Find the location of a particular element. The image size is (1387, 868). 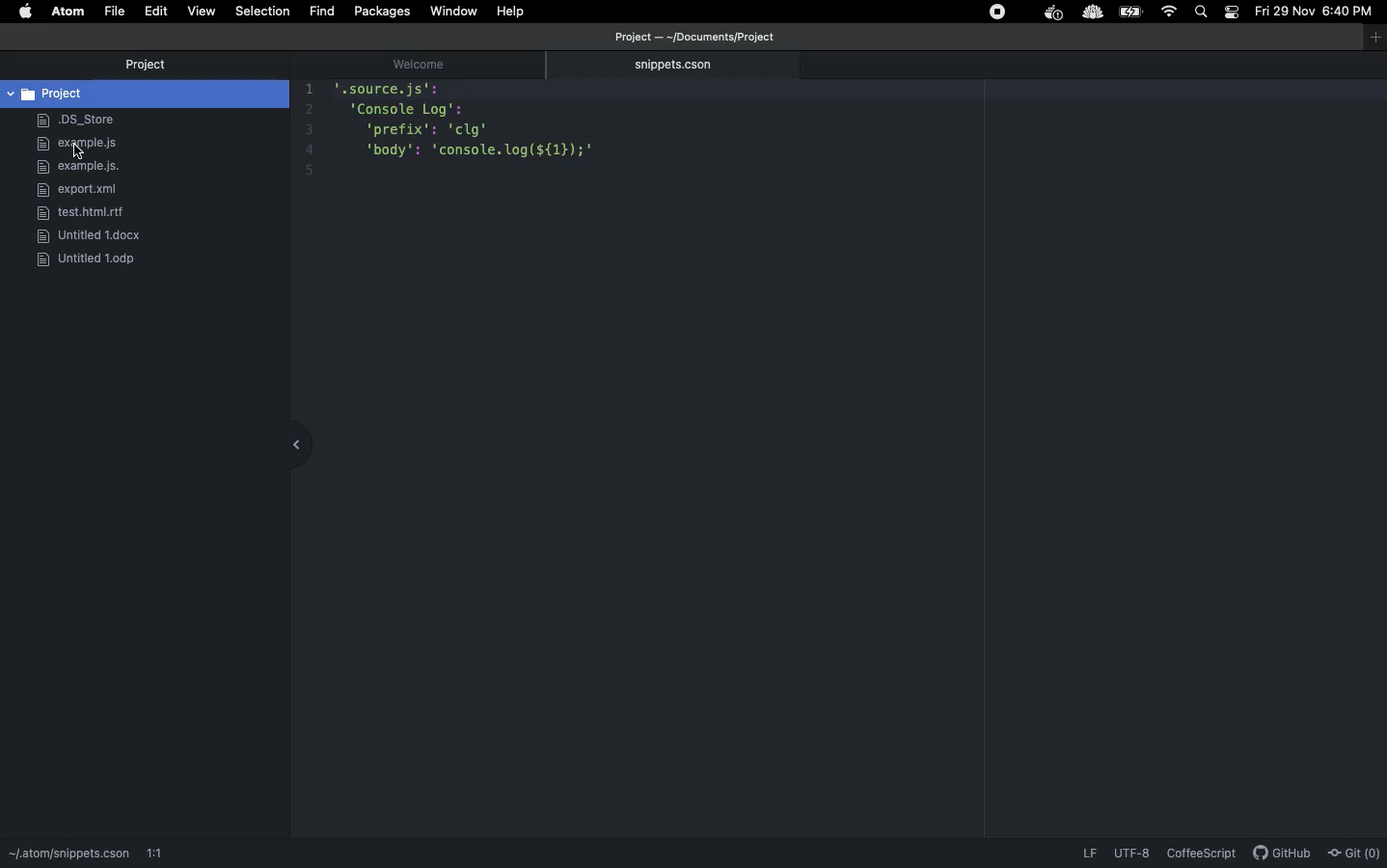

Apple logo is located at coordinates (28, 12).